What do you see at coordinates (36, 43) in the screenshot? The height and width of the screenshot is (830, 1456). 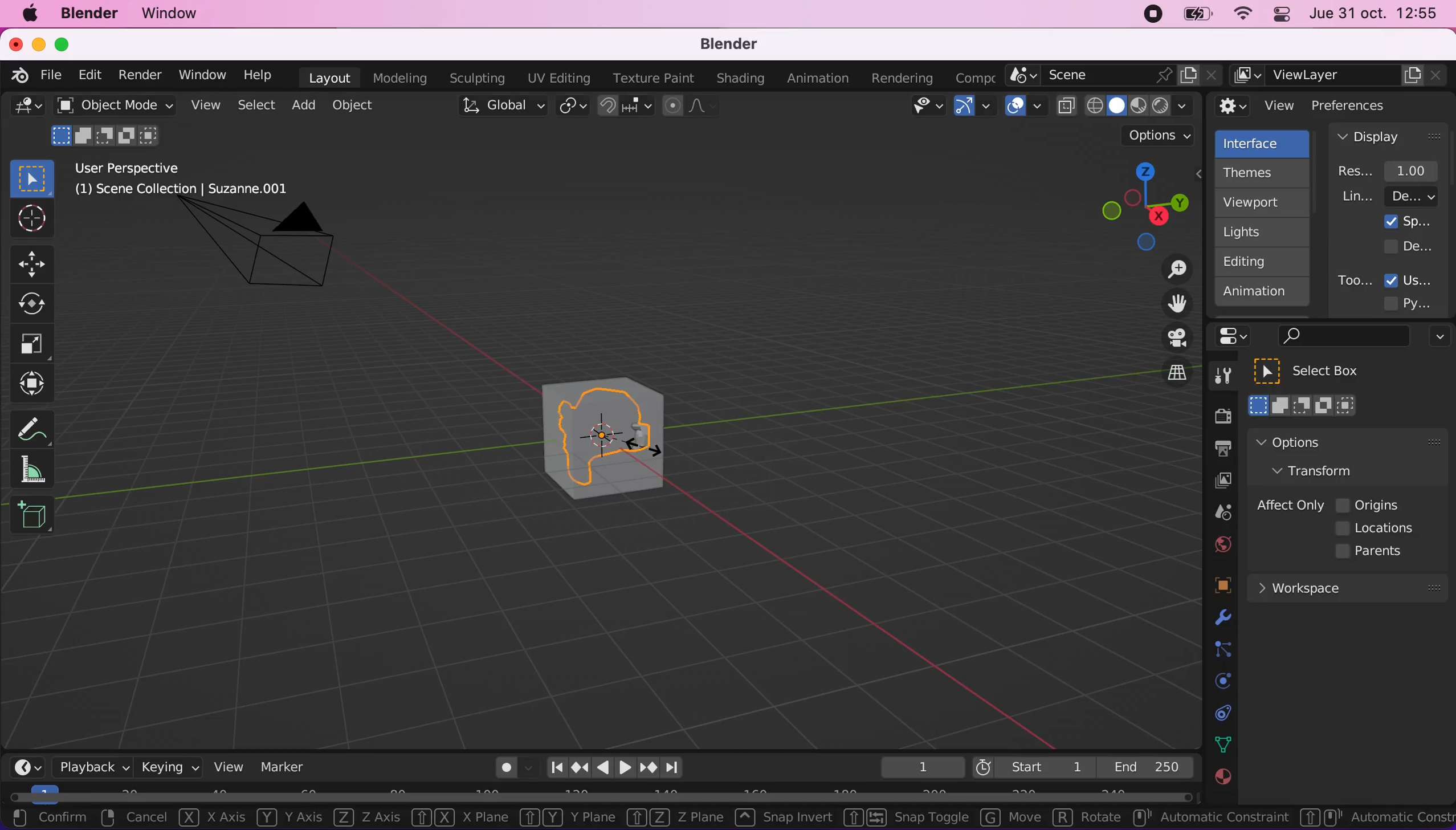 I see `minimize` at bounding box center [36, 43].